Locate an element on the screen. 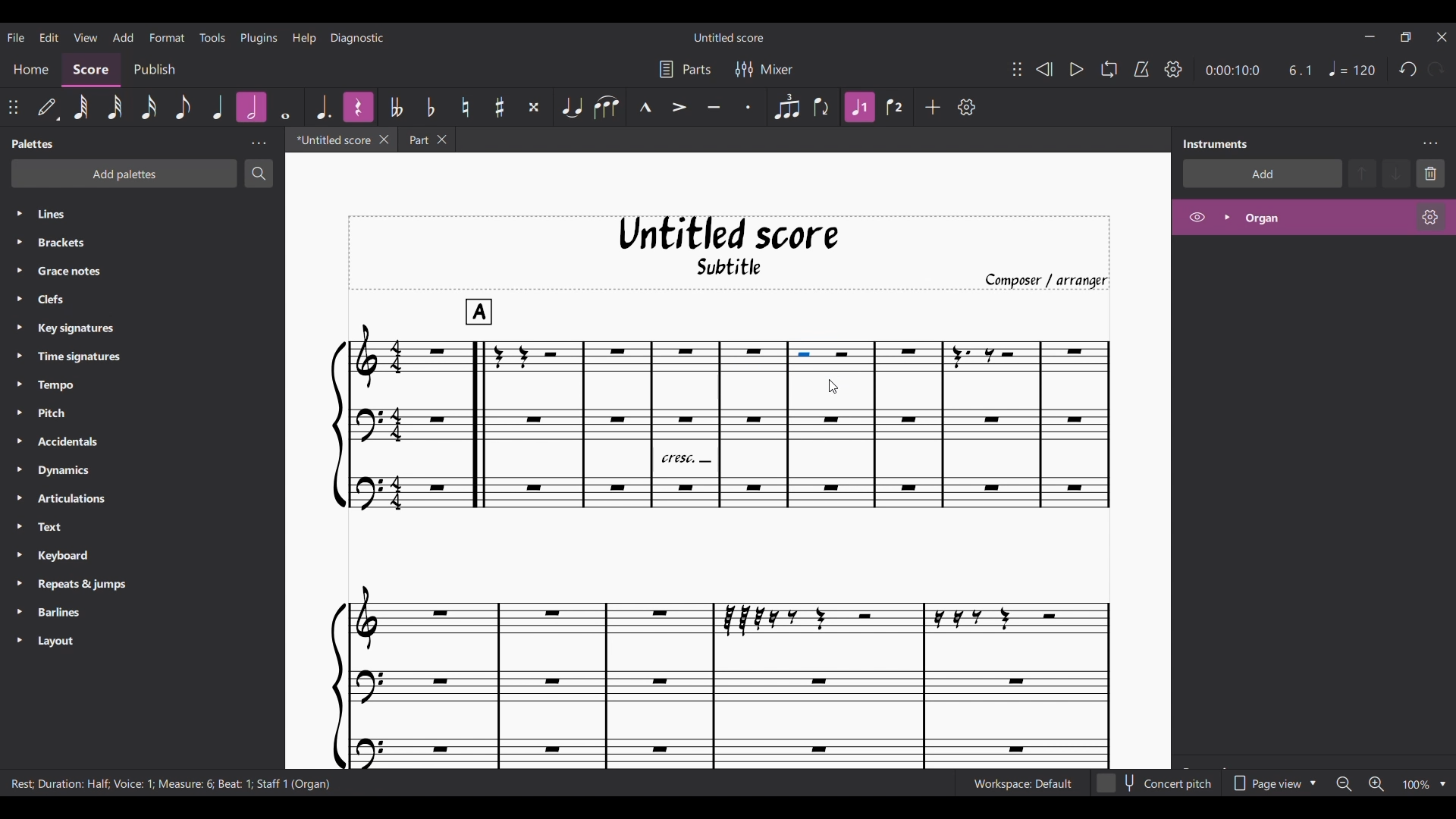 This screenshot has width=1456, height=819. Toggle double sharp is located at coordinates (535, 106).